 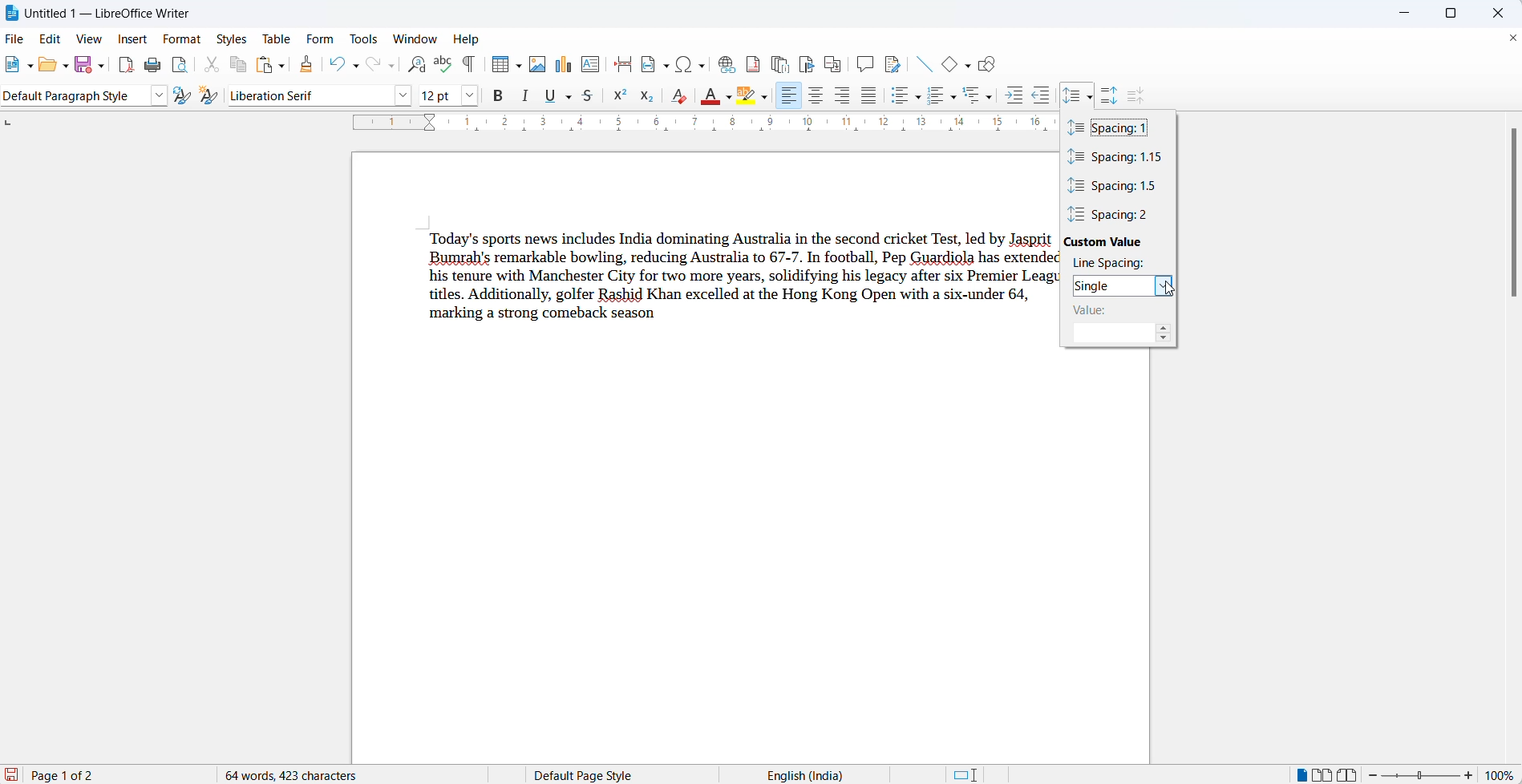 I want to click on line spacing value heading, so click(x=1112, y=265).